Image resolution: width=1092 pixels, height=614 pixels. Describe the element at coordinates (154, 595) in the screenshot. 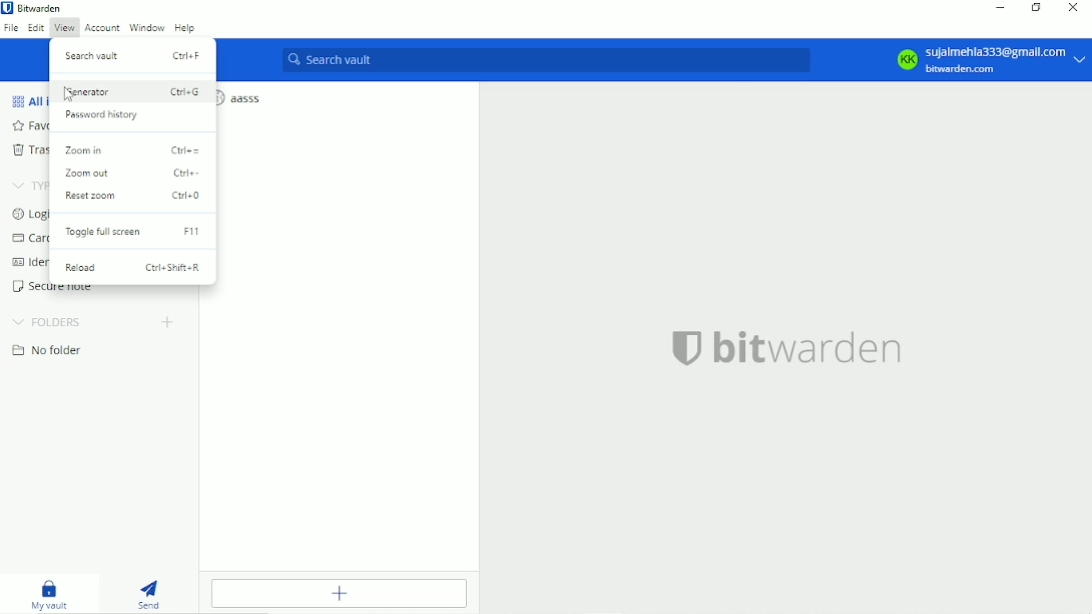

I see `Send` at that location.